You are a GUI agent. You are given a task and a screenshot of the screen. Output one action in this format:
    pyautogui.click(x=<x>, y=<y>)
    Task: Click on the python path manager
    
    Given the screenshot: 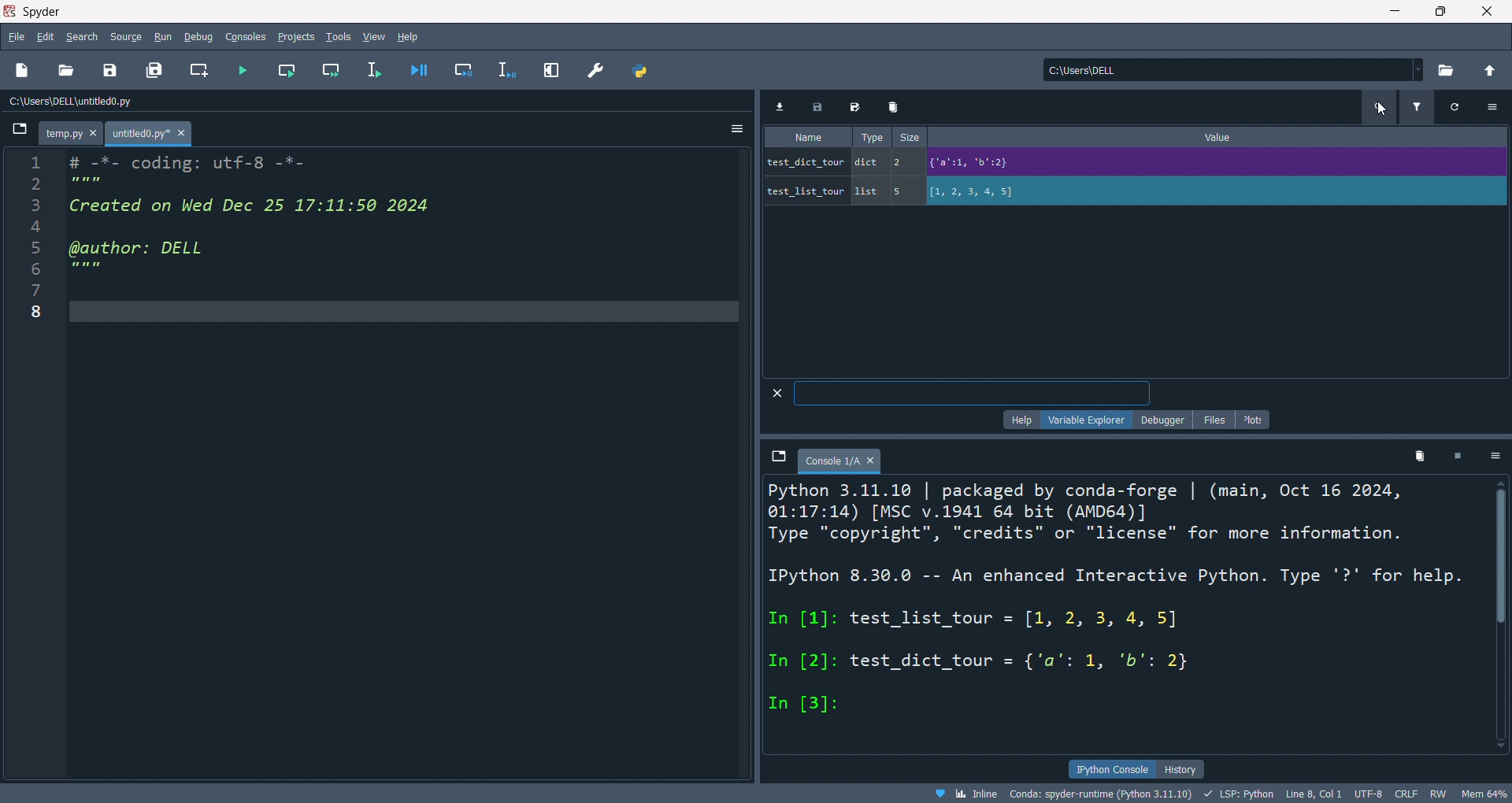 What is the action you would take?
    pyautogui.click(x=638, y=70)
    